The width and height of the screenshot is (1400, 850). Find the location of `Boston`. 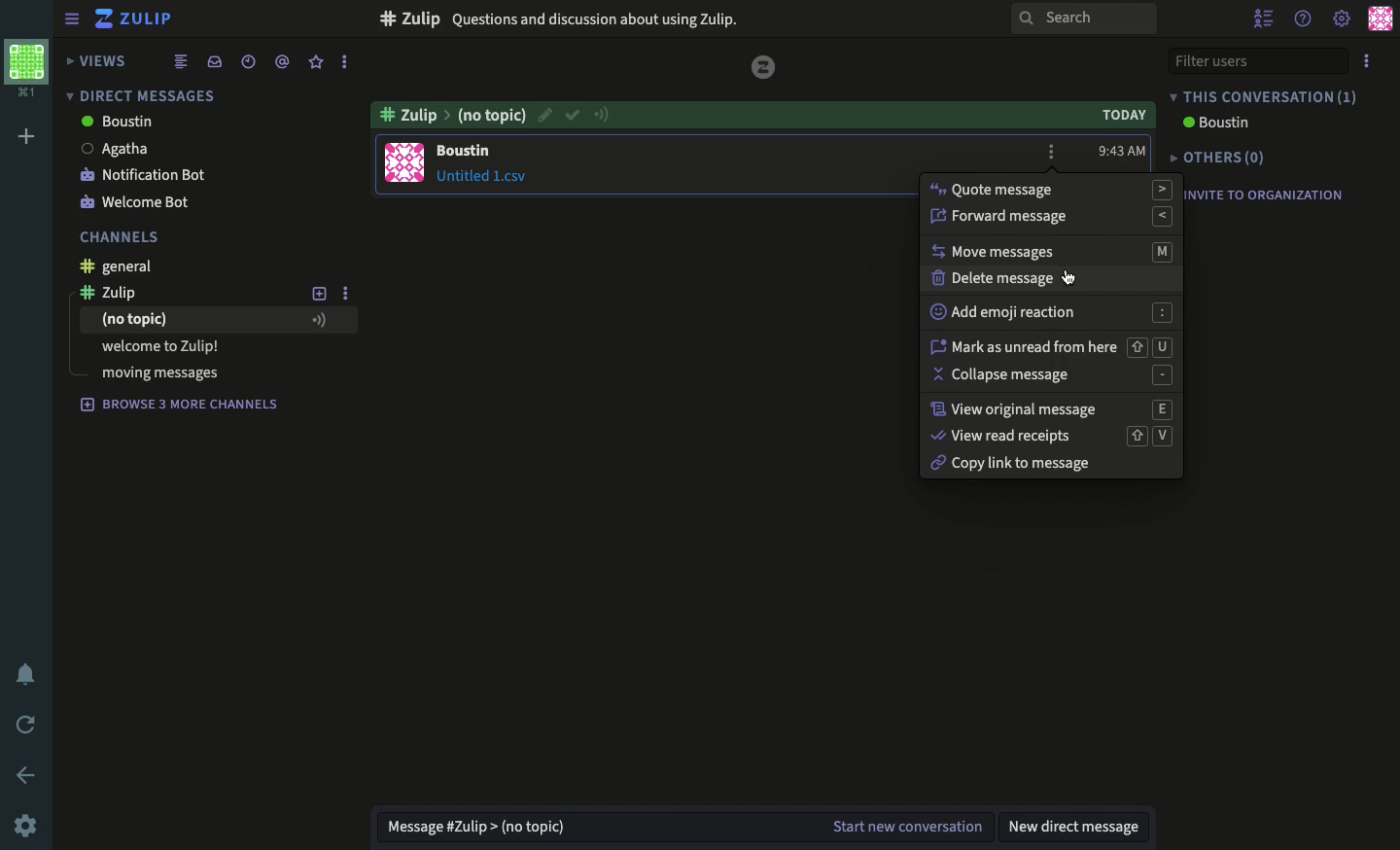

Boston is located at coordinates (1212, 125).